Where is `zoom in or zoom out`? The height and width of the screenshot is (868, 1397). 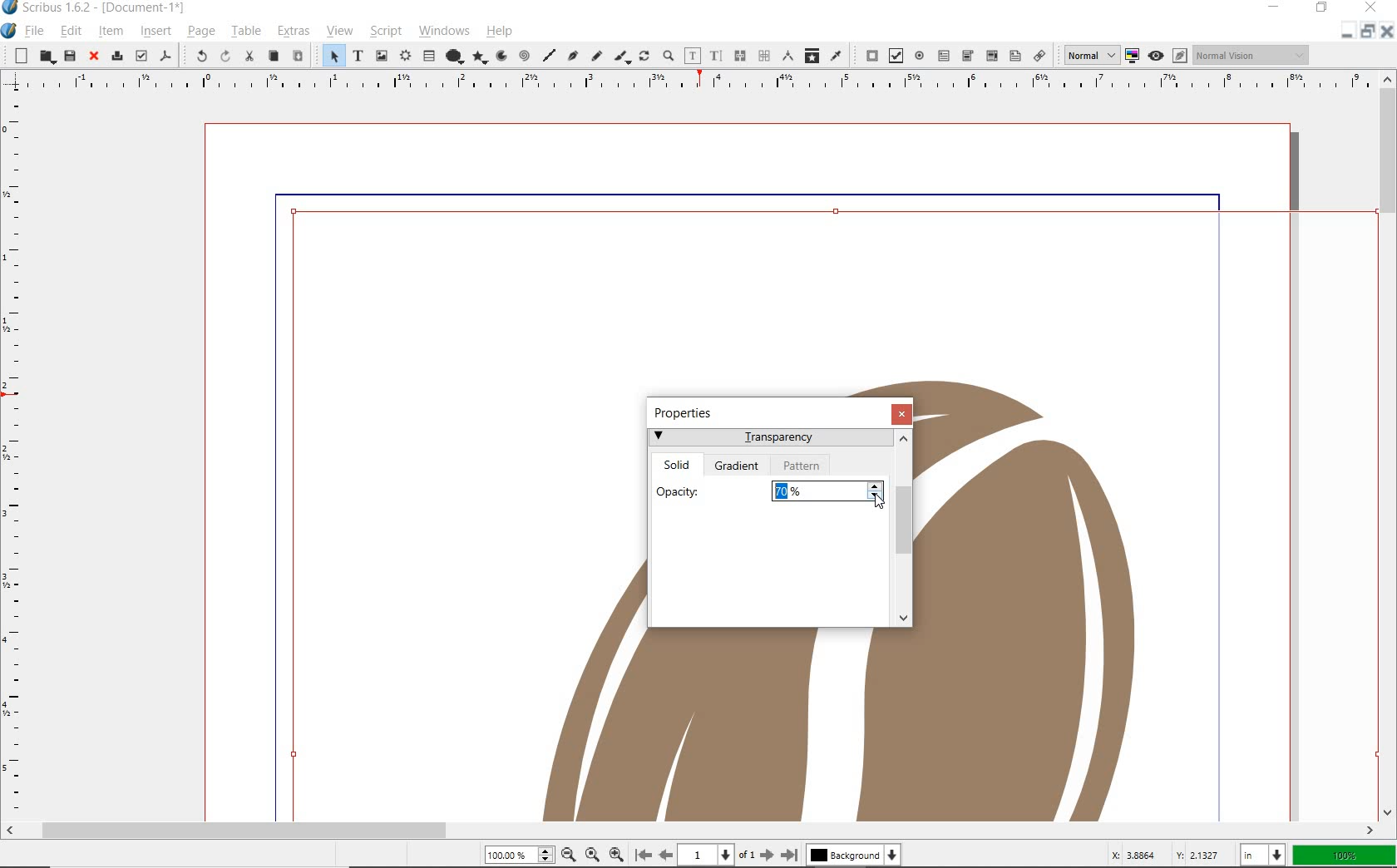 zoom in or zoom out is located at coordinates (669, 54).